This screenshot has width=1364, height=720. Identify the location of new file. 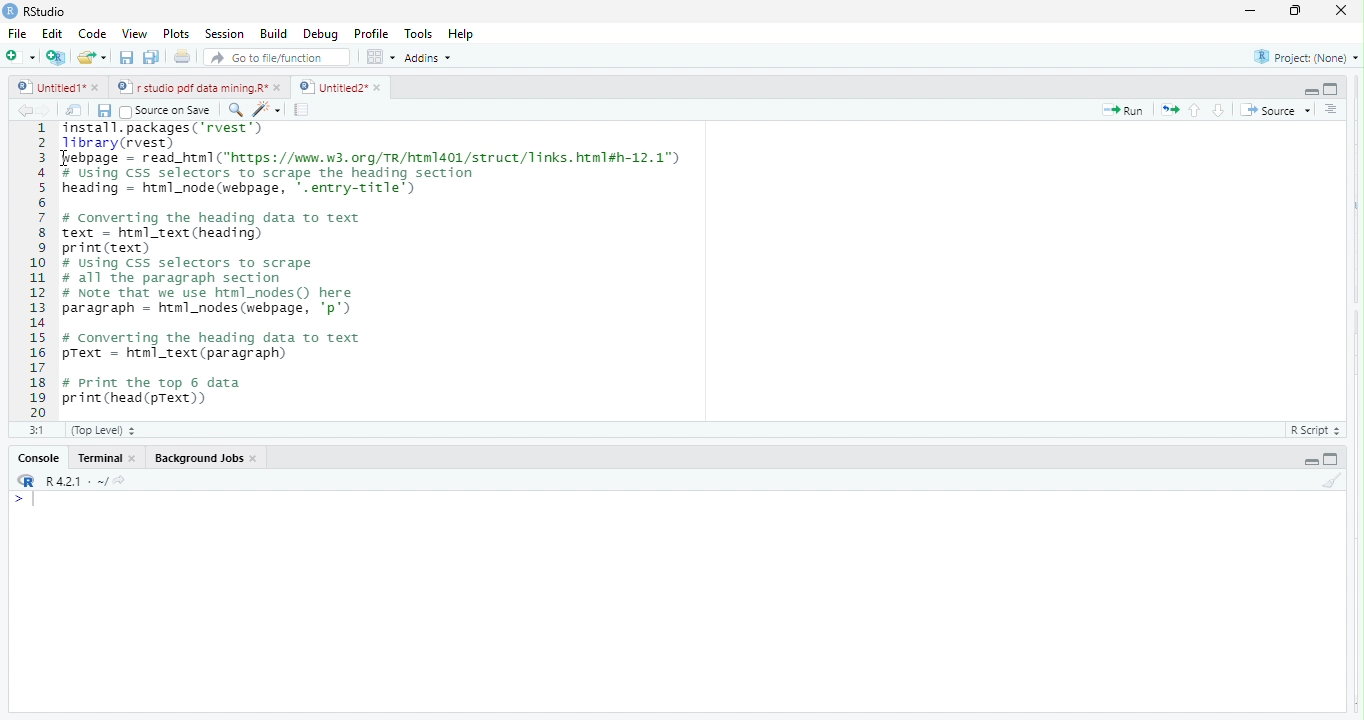
(20, 56).